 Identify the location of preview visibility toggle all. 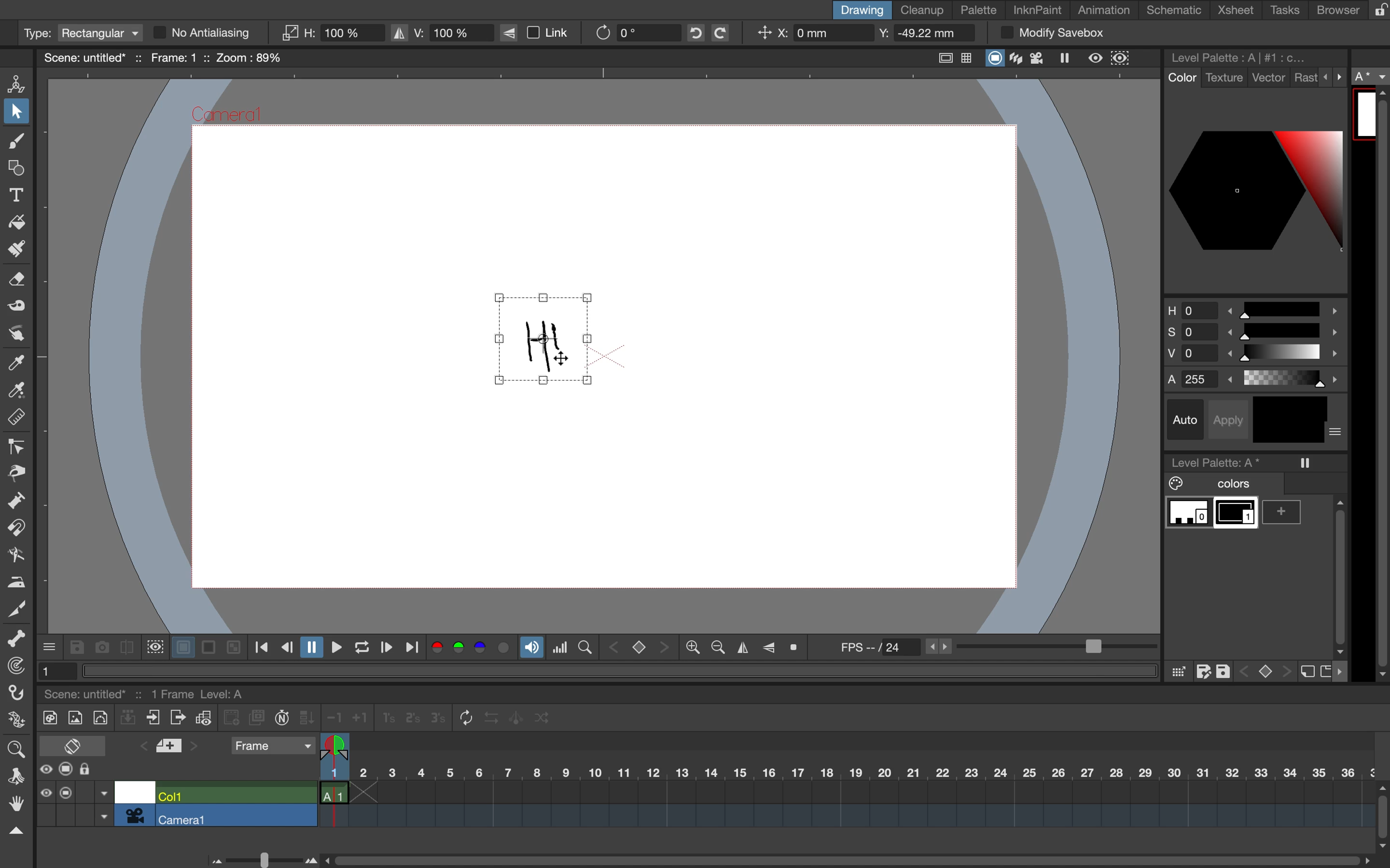
(45, 793).